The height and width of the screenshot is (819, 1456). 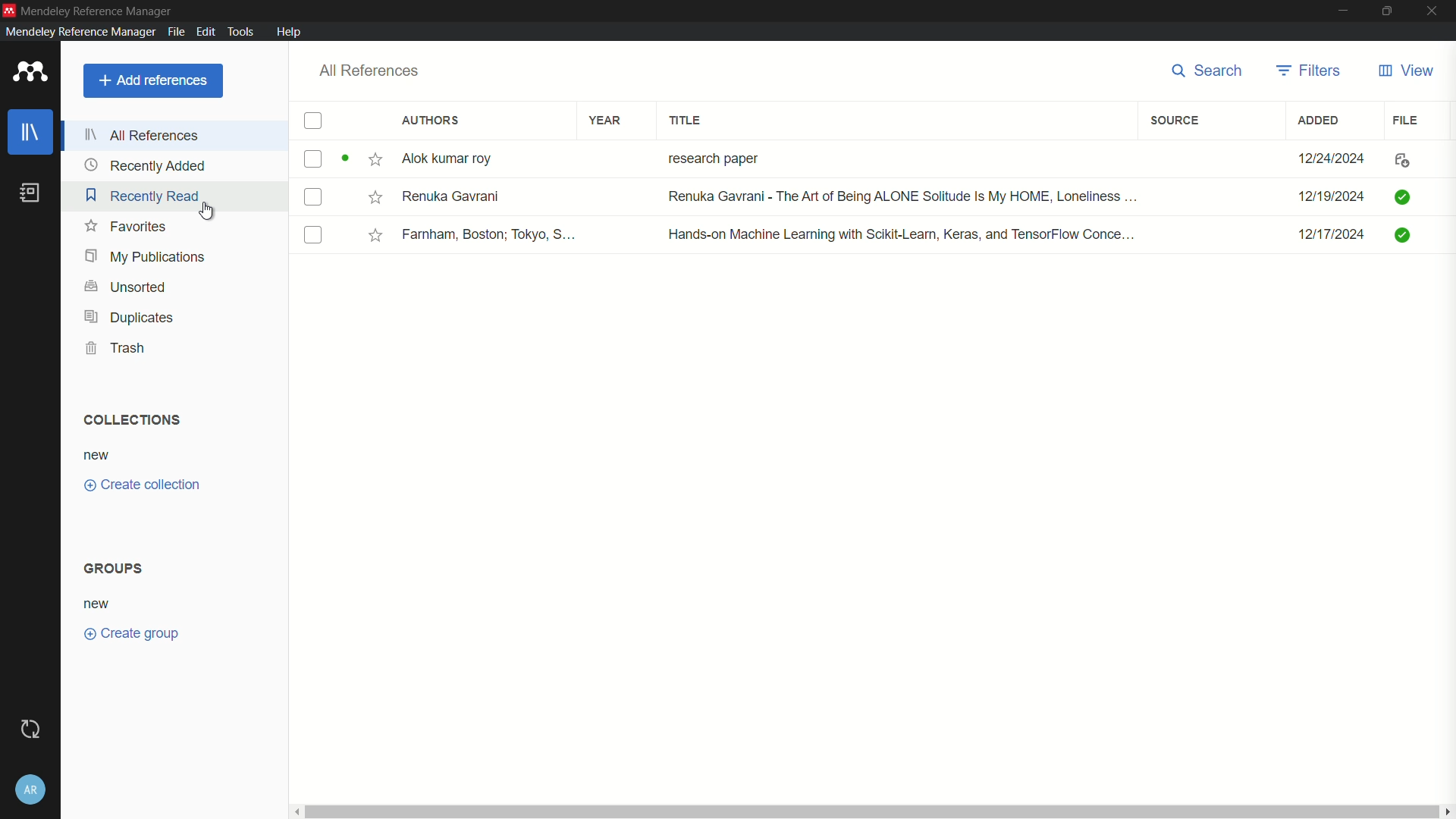 What do you see at coordinates (372, 71) in the screenshot?
I see `all references` at bounding box center [372, 71].